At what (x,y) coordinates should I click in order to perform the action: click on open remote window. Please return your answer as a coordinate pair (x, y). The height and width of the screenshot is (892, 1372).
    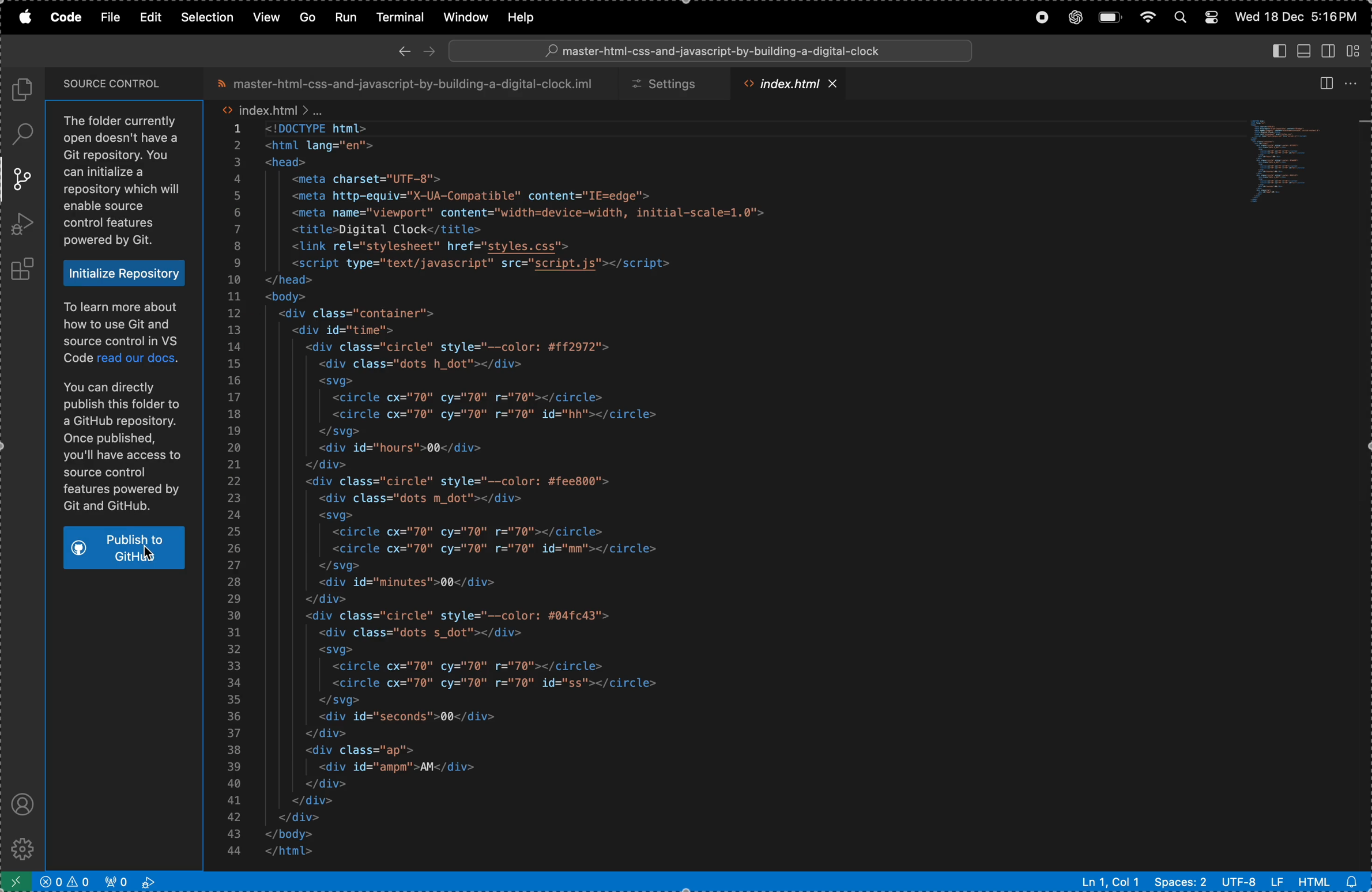
    Looking at the image, I should click on (17, 879).